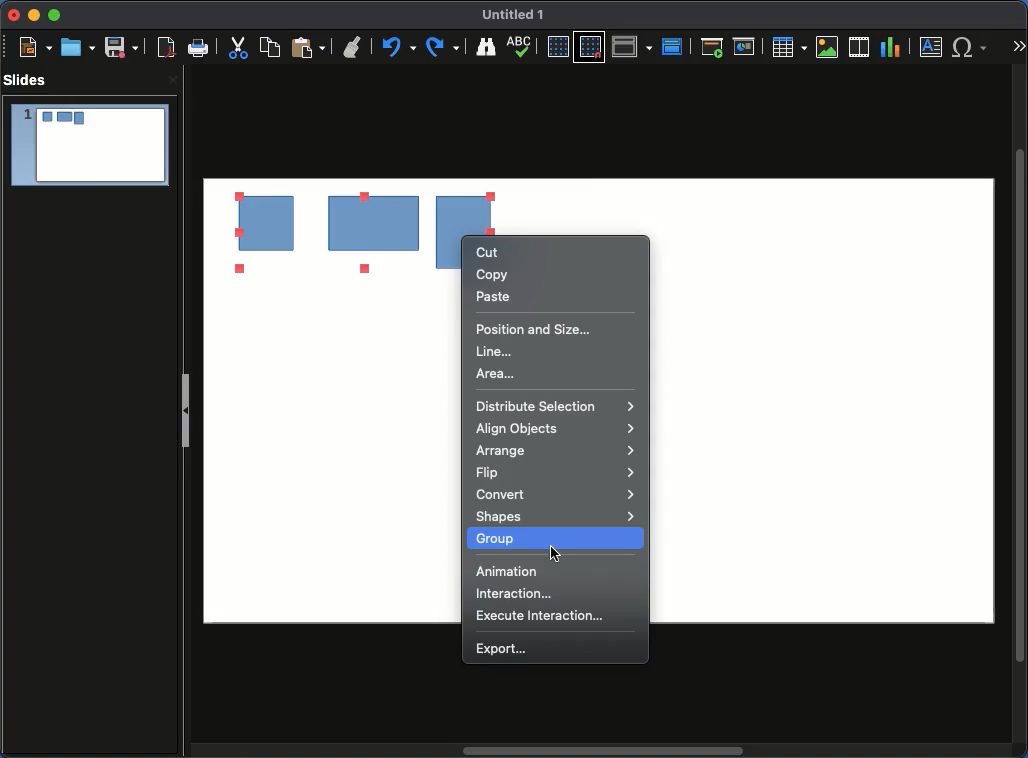 This screenshot has width=1028, height=758. I want to click on Snap to grid, so click(590, 48).